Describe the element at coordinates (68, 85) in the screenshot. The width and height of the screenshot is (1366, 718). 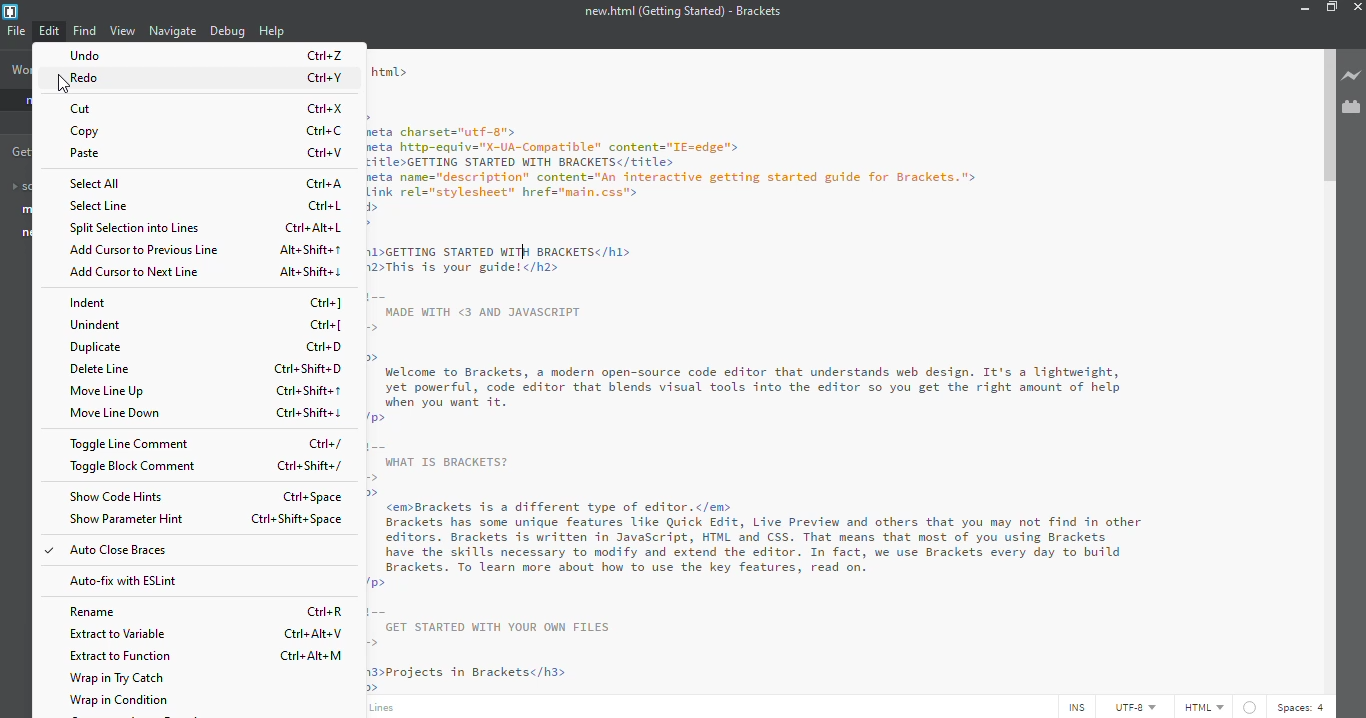
I see `cursor` at that location.